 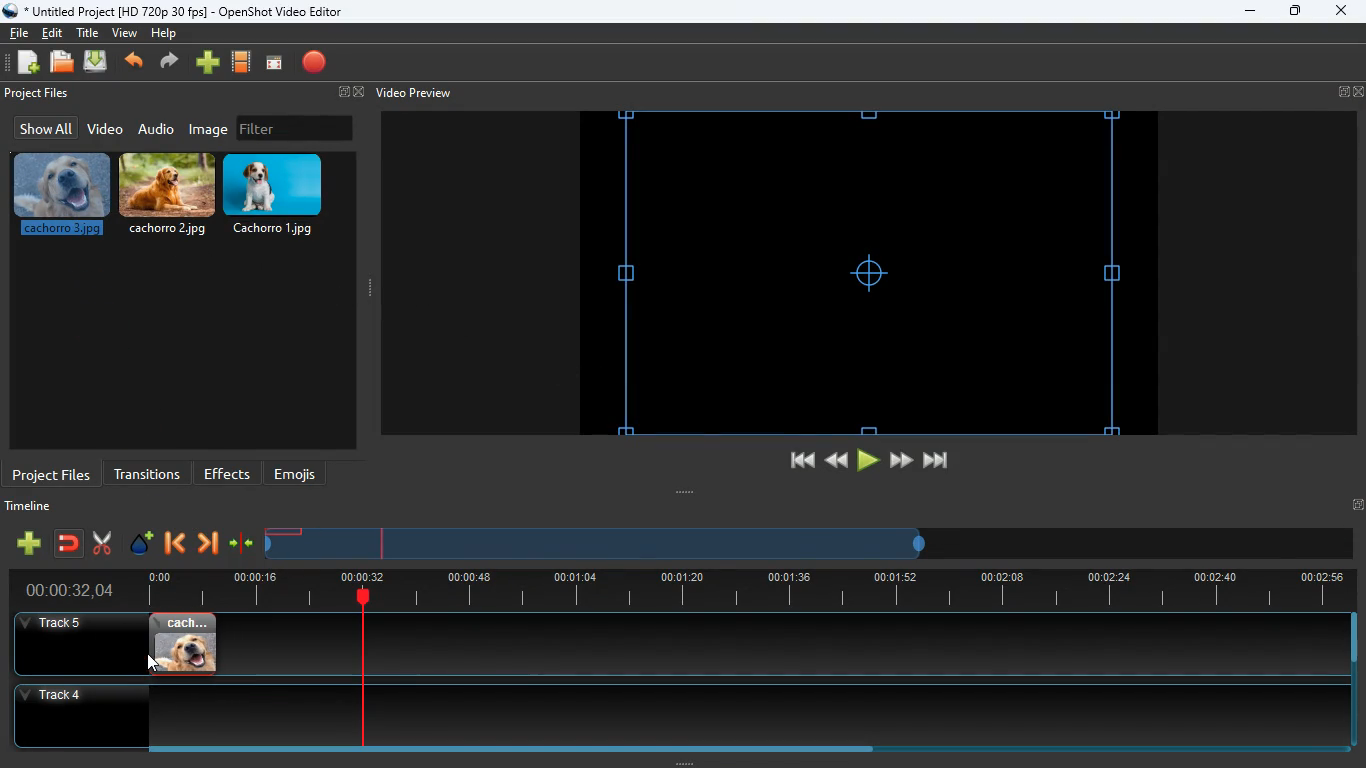 I want to click on close, so click(x=1340, y=12).